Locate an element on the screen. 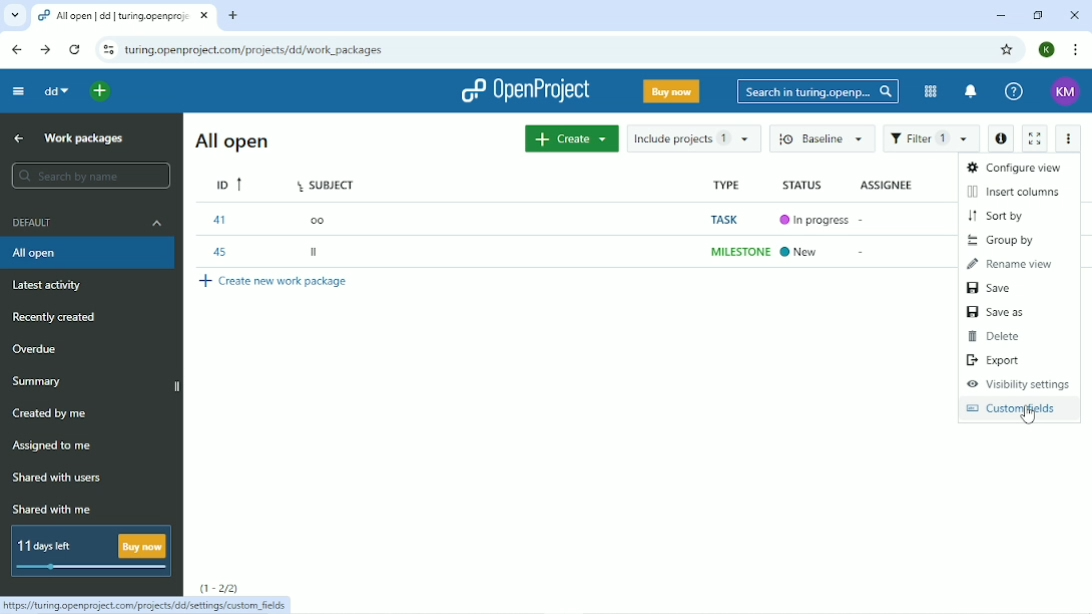 This screenshot has height=614, width=1092. Up is located at coordinates (18, 139).